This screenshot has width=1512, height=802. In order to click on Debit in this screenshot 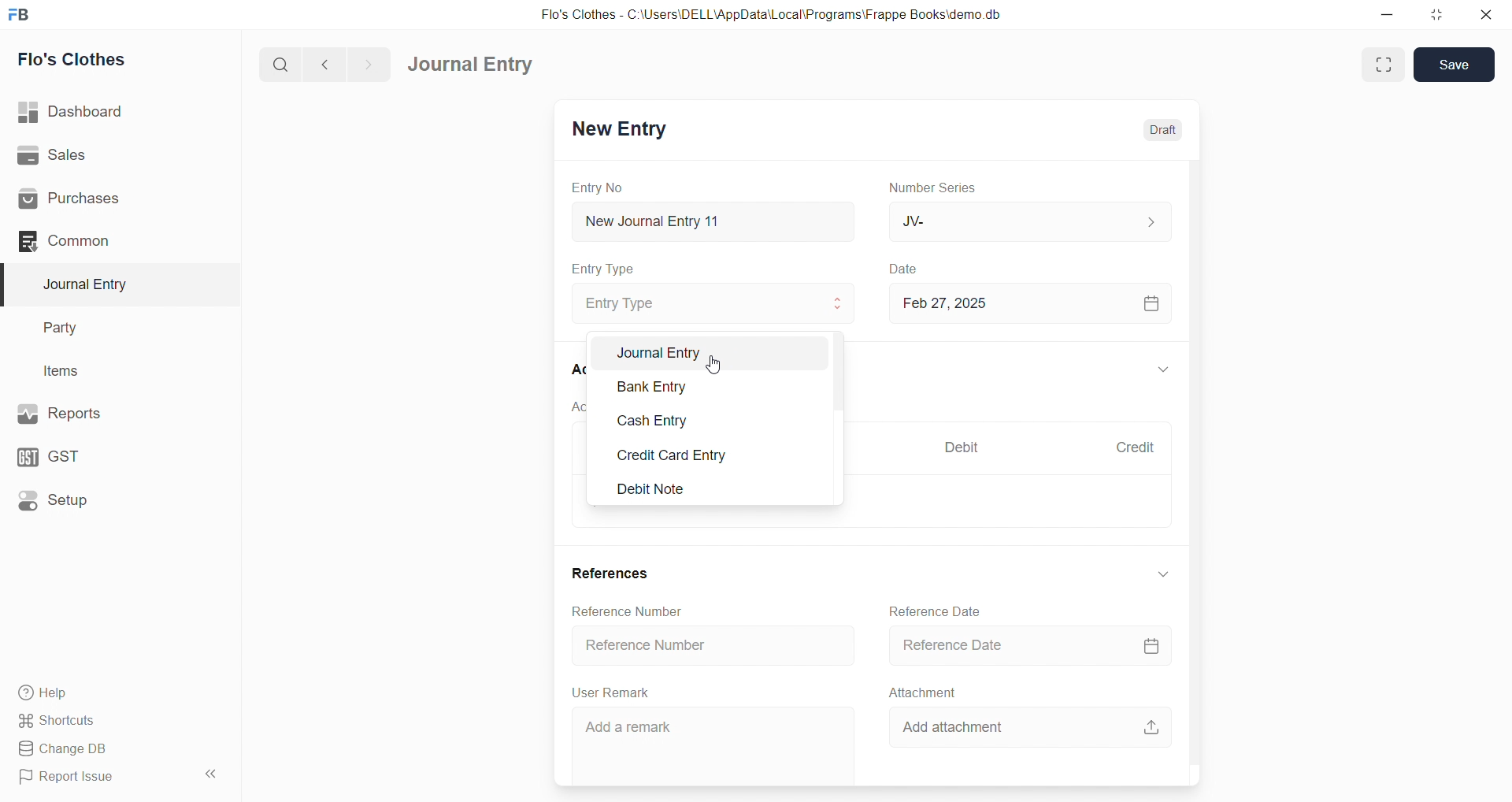, I will do `click(965, 446)`.